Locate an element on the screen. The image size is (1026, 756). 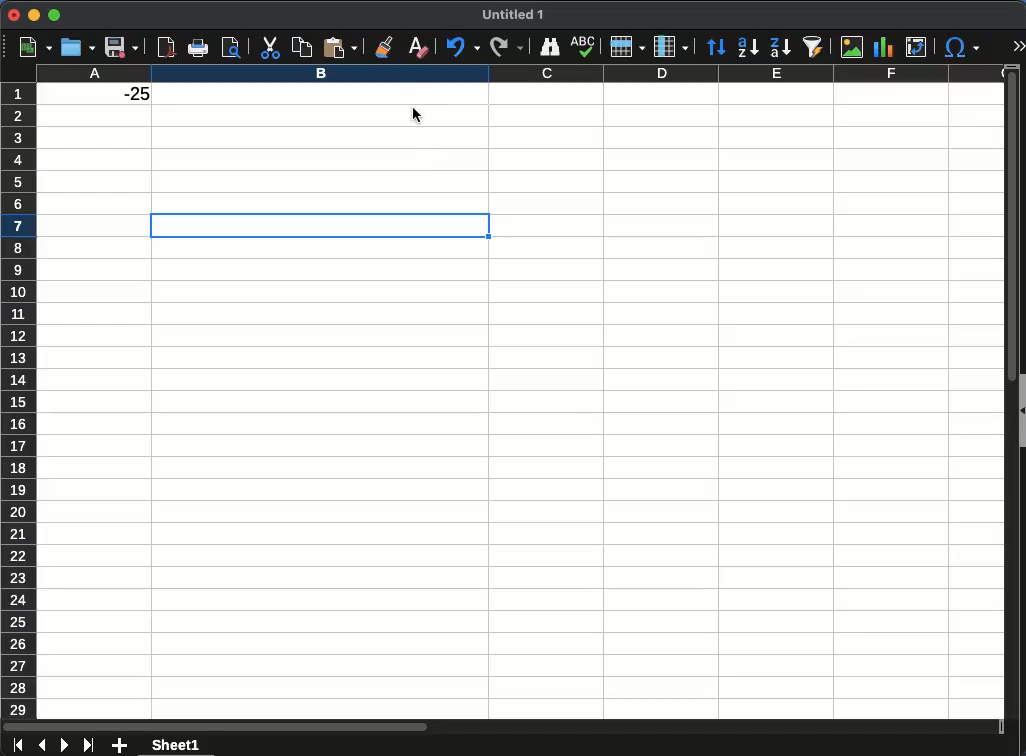
cursor is located at coordinates (417, 115).